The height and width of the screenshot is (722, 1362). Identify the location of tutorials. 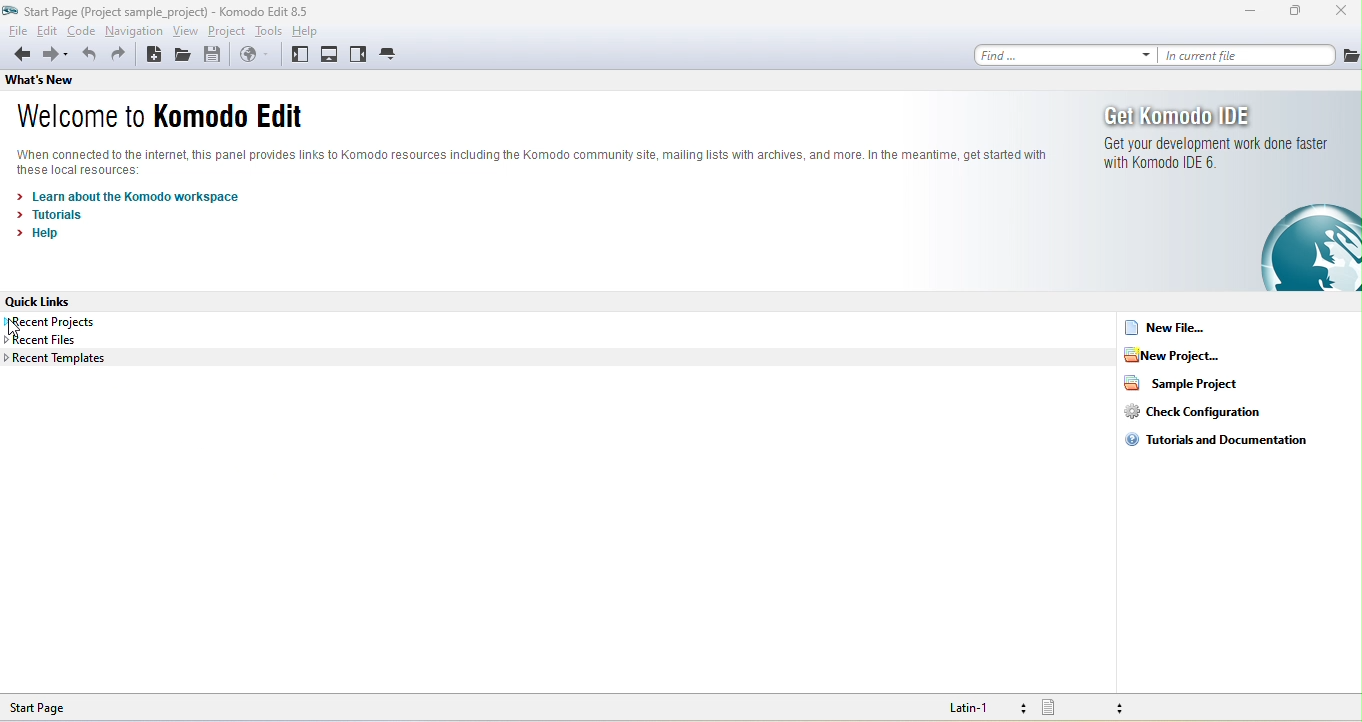
(54, 216).